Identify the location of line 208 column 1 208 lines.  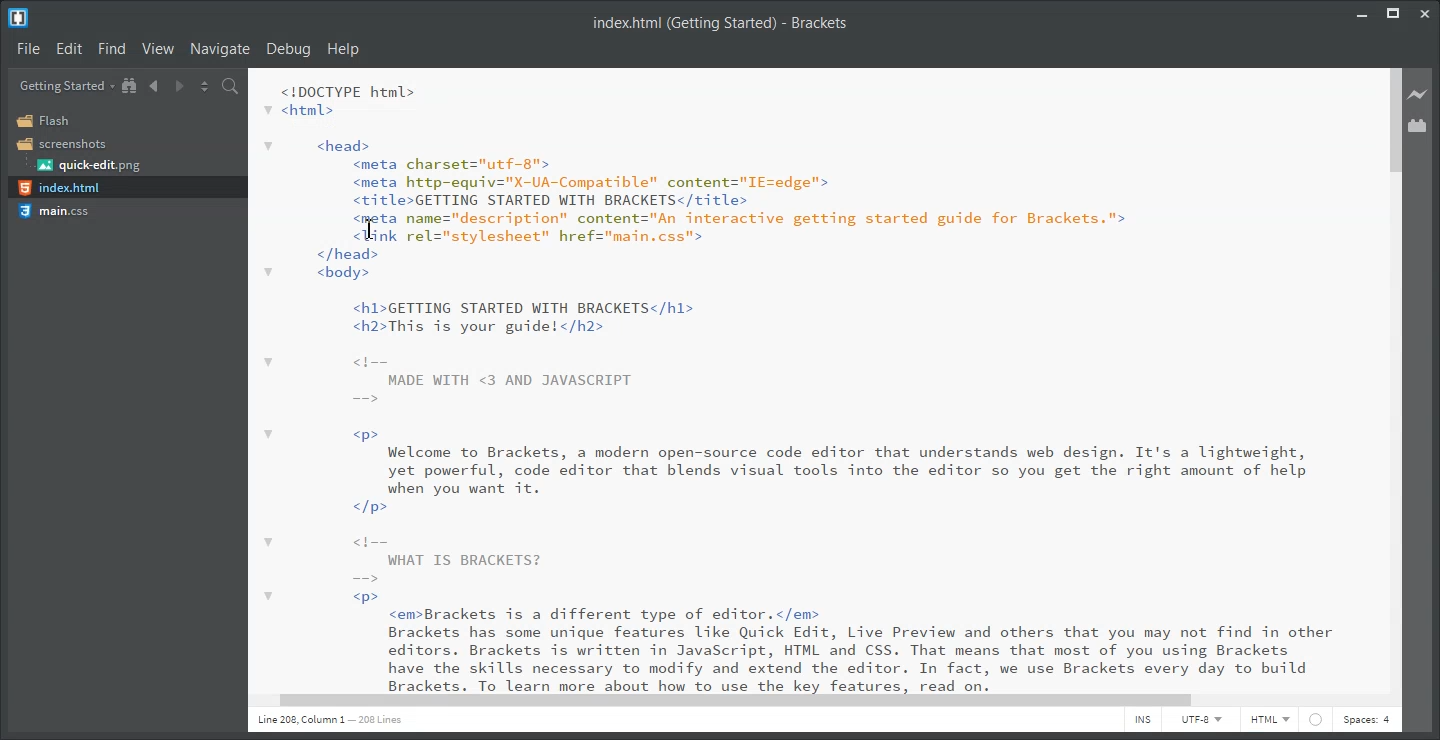
(332, 719).